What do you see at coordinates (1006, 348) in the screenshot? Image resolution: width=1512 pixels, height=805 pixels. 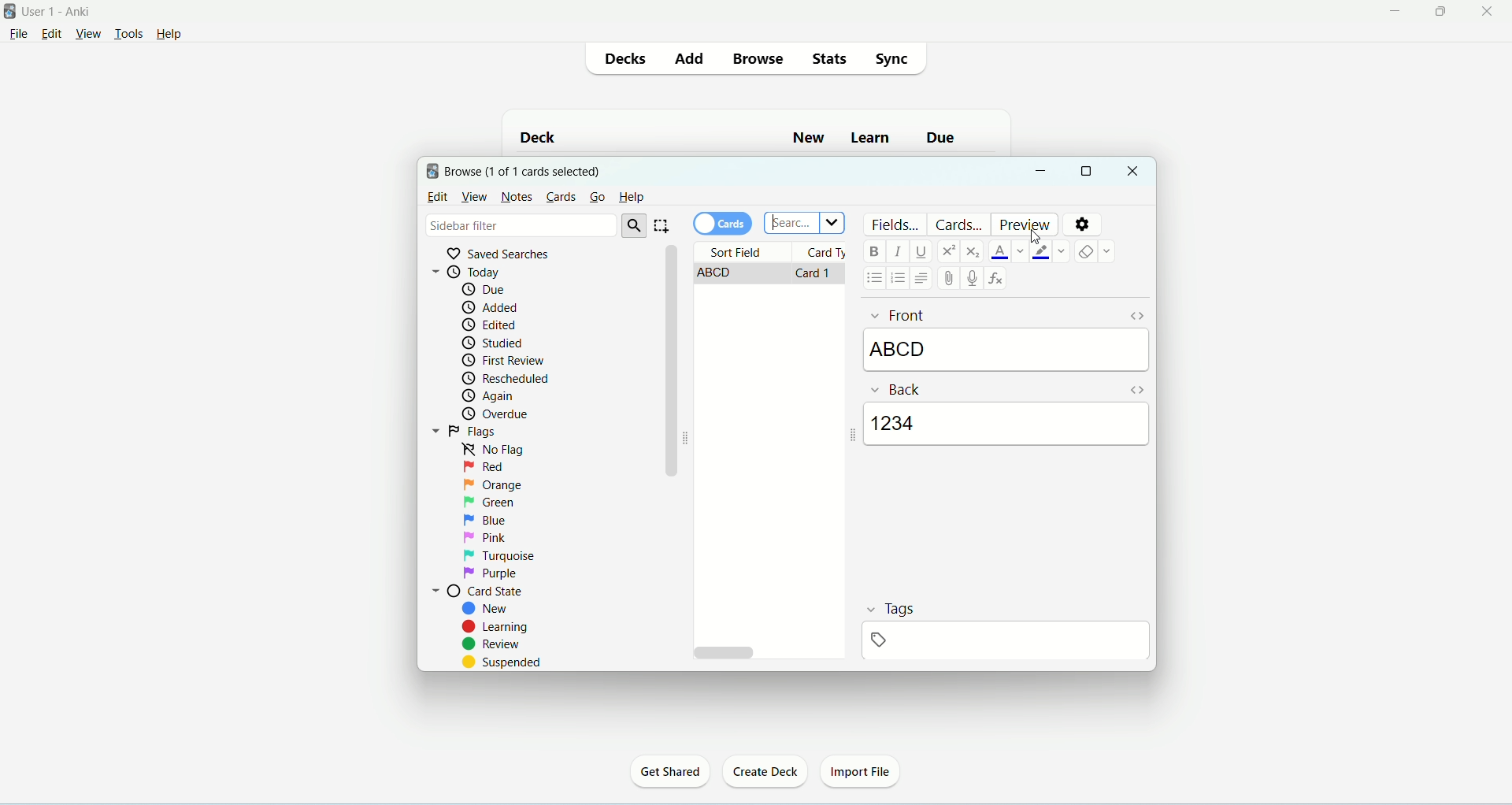 I see `ABCD` at bounding box center [1006, 348].